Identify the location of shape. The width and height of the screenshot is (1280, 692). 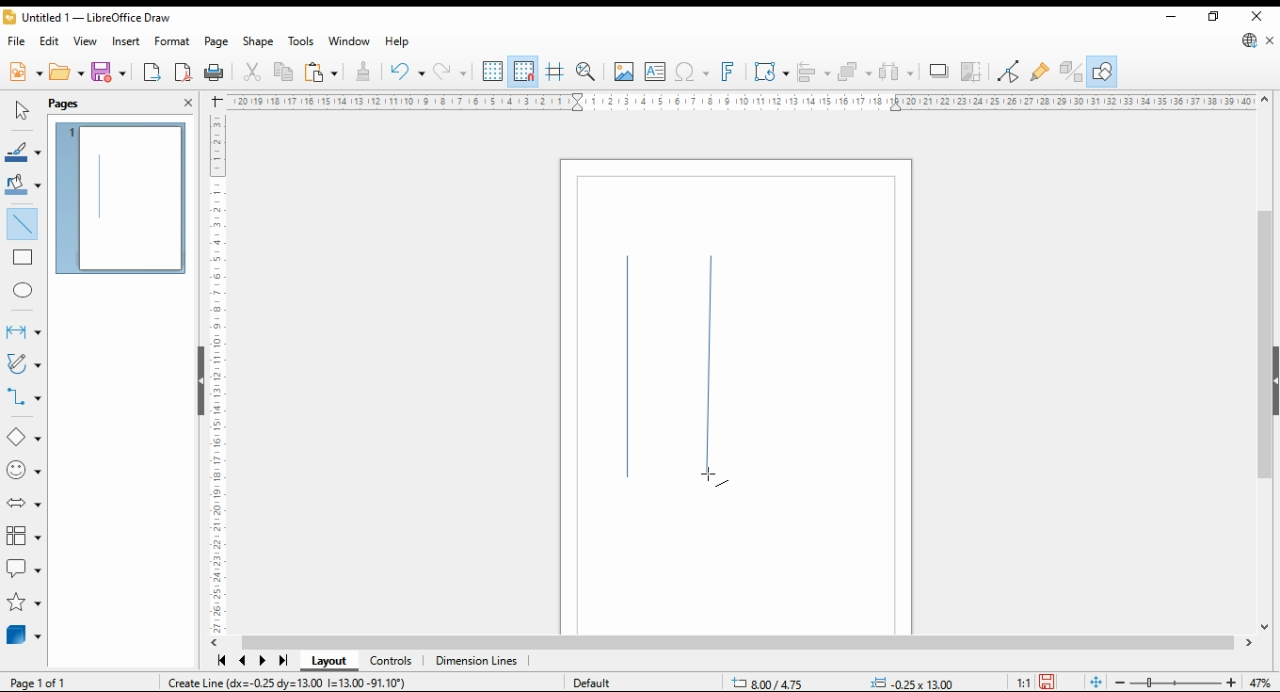
(258, 42).